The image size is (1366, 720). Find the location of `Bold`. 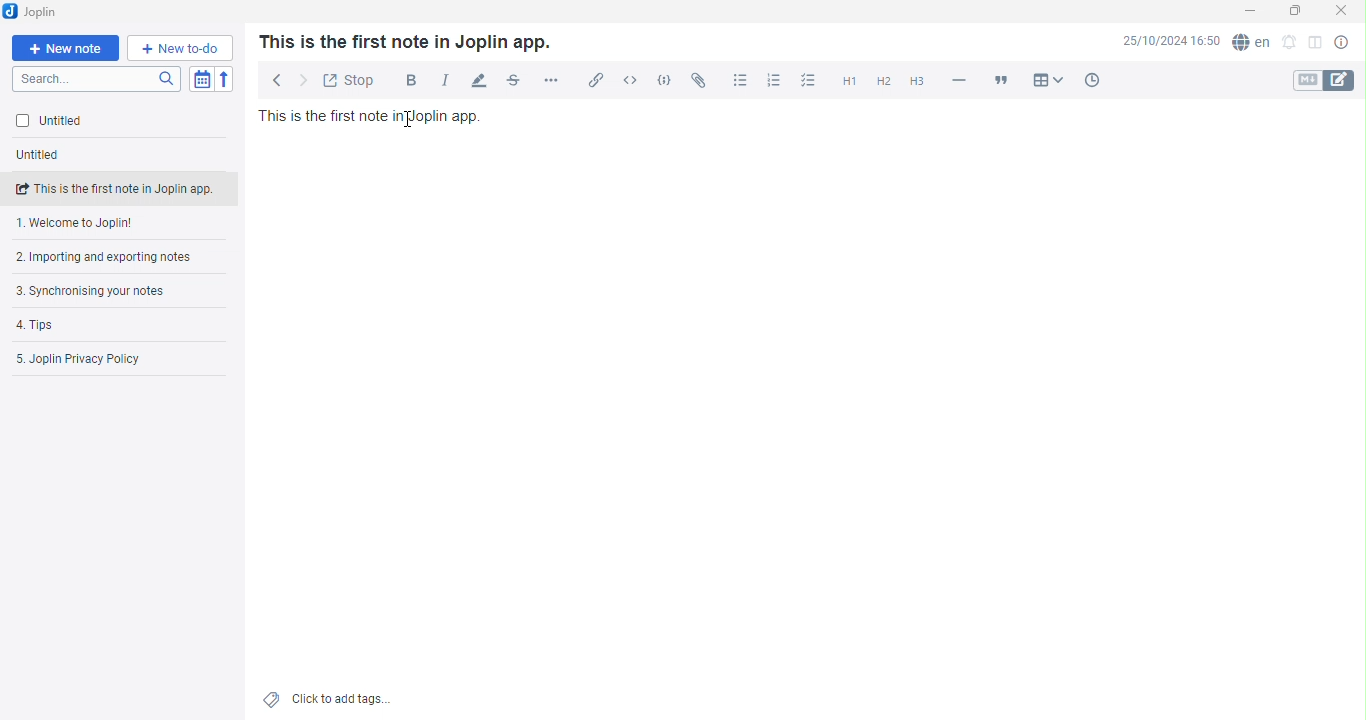

Bold is located at coordinates (406, 79).